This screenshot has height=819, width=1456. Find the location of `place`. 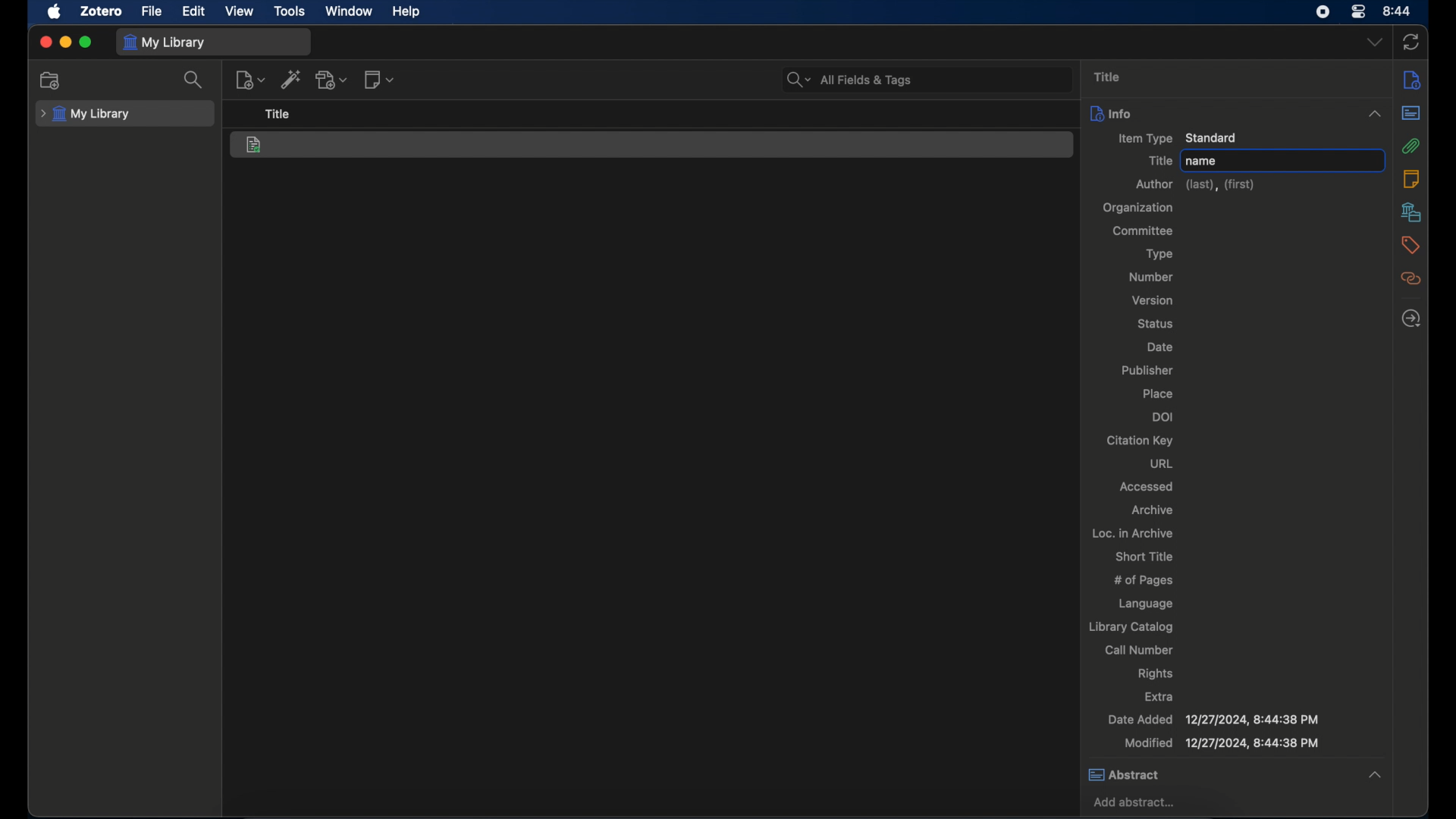

place is located at coordinates (1160, 392).